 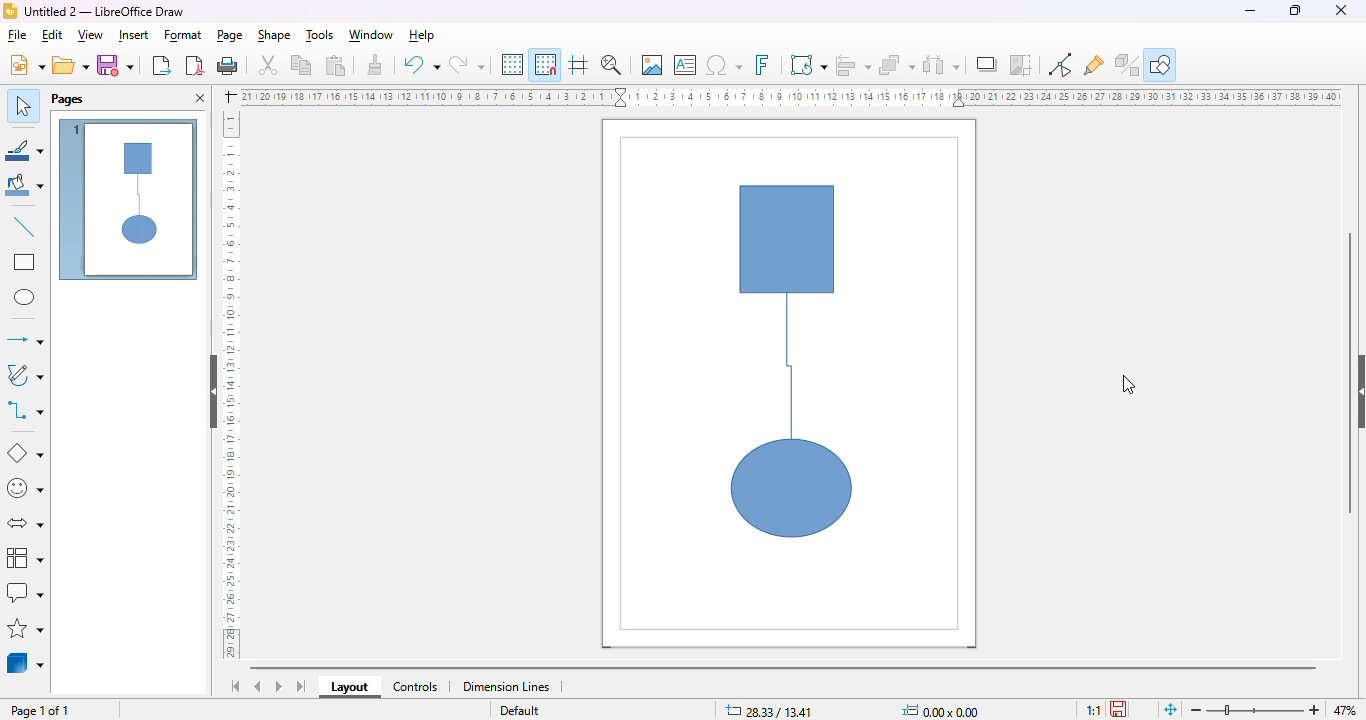 What do you see at coordinates (24, 297) in the screenshot?
I see `ellipse` at bounding box center [24, 297].